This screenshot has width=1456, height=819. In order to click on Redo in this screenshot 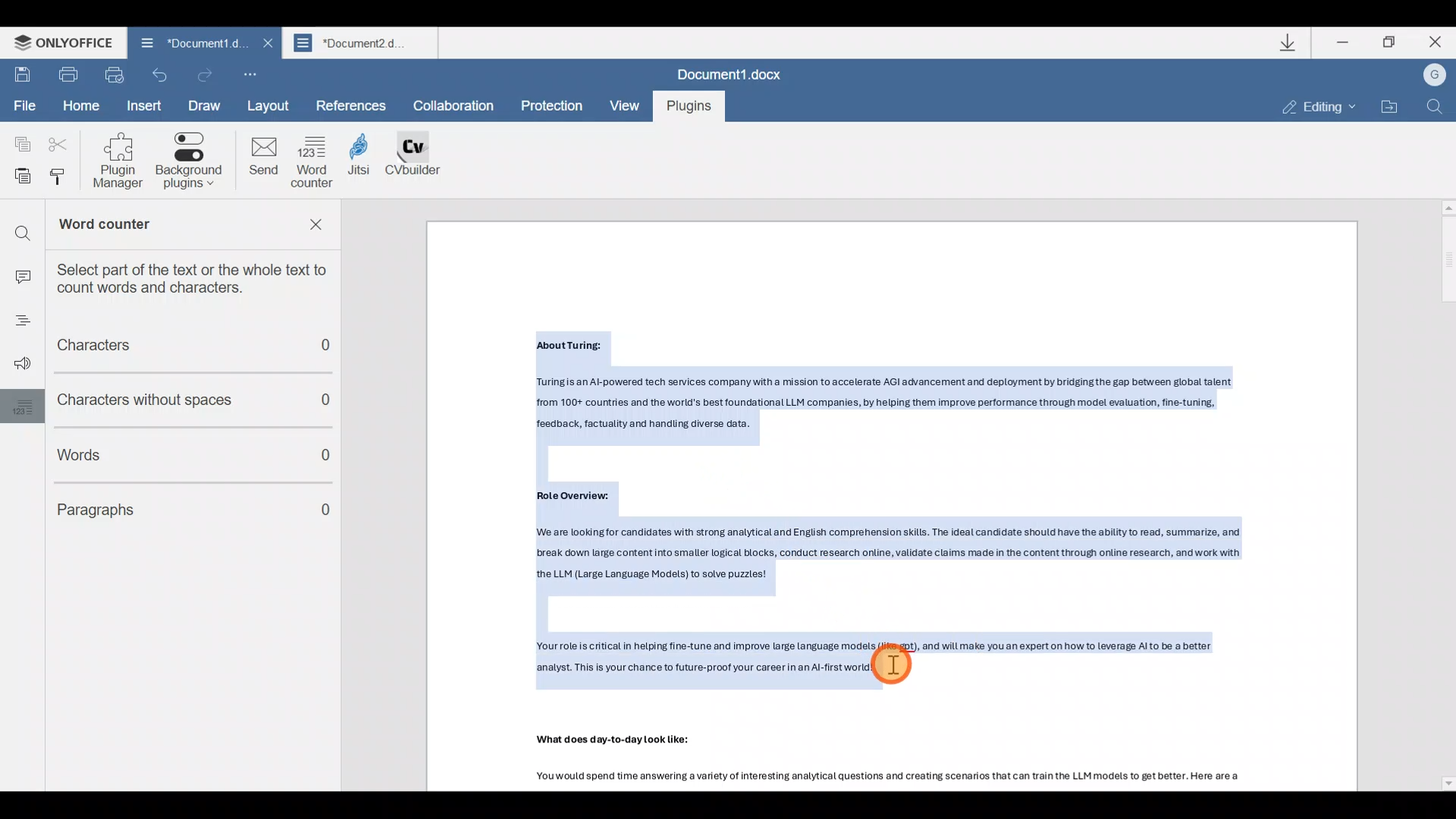, I will do `click(206, 73)`.